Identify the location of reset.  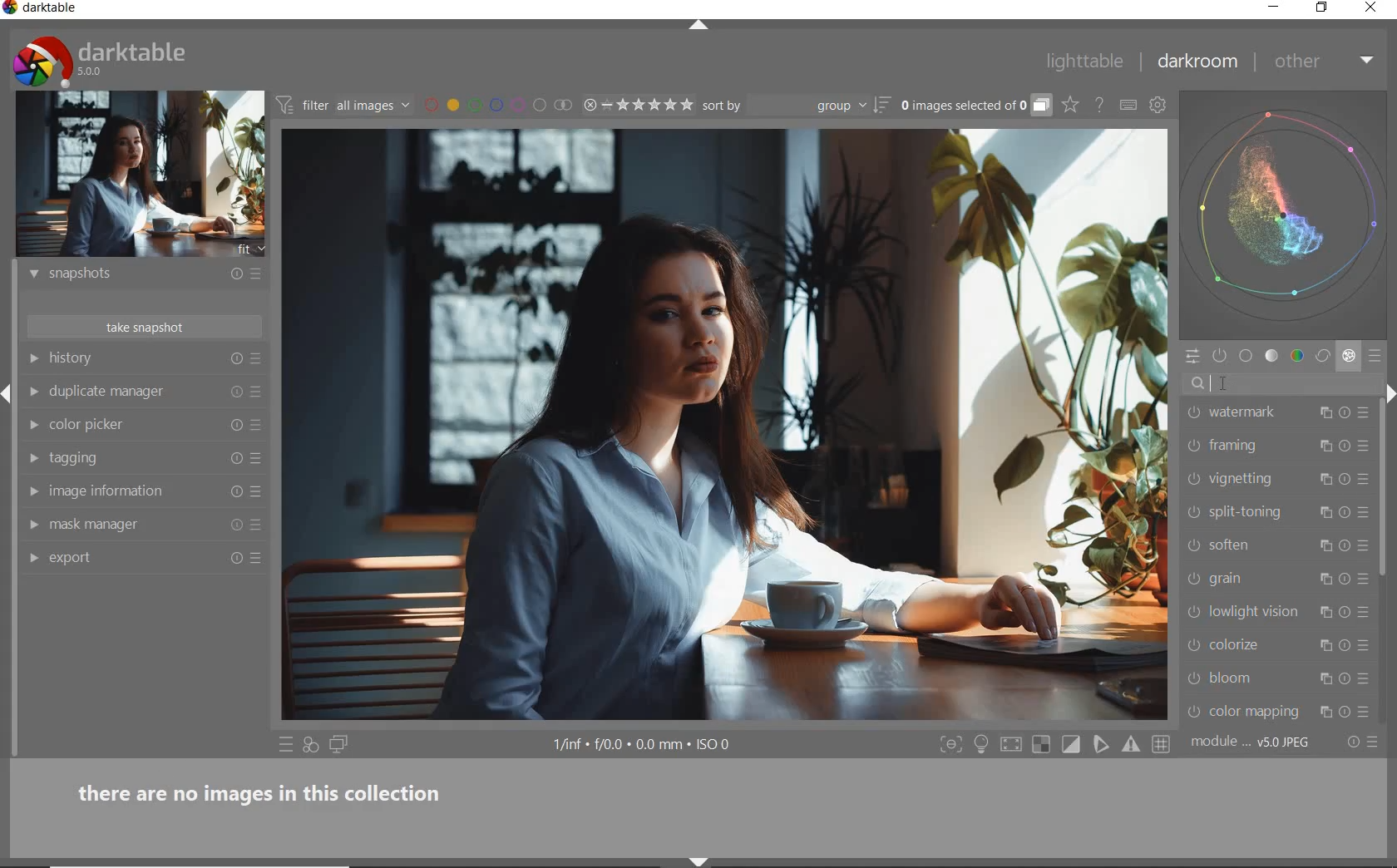
(1347, 513).